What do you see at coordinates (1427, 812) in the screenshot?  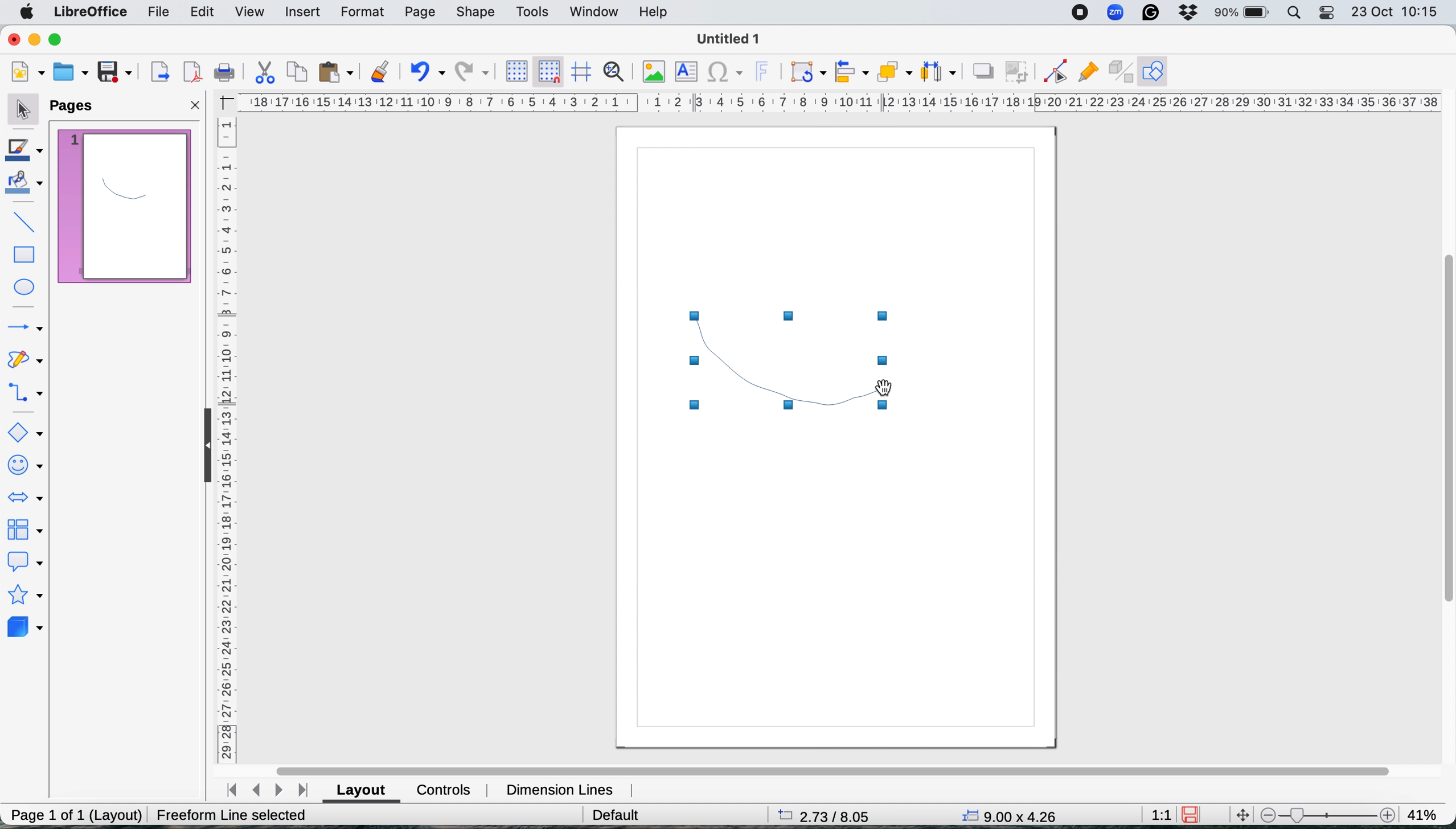 I see `zoom factor` at bounding box center [1427, 812].